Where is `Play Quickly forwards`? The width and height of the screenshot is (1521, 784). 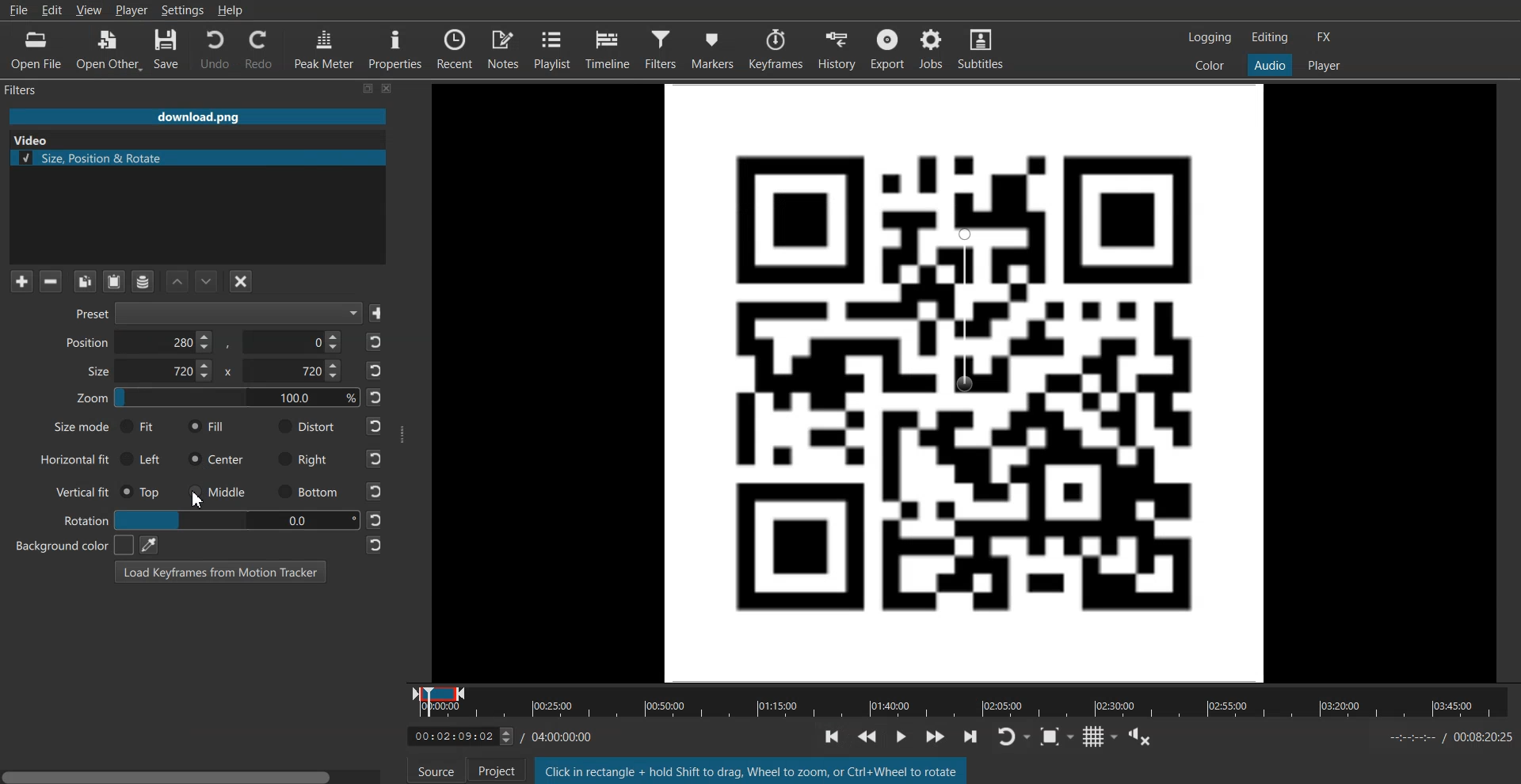 Play Quickly forwards is located at coordinates (936, 738).